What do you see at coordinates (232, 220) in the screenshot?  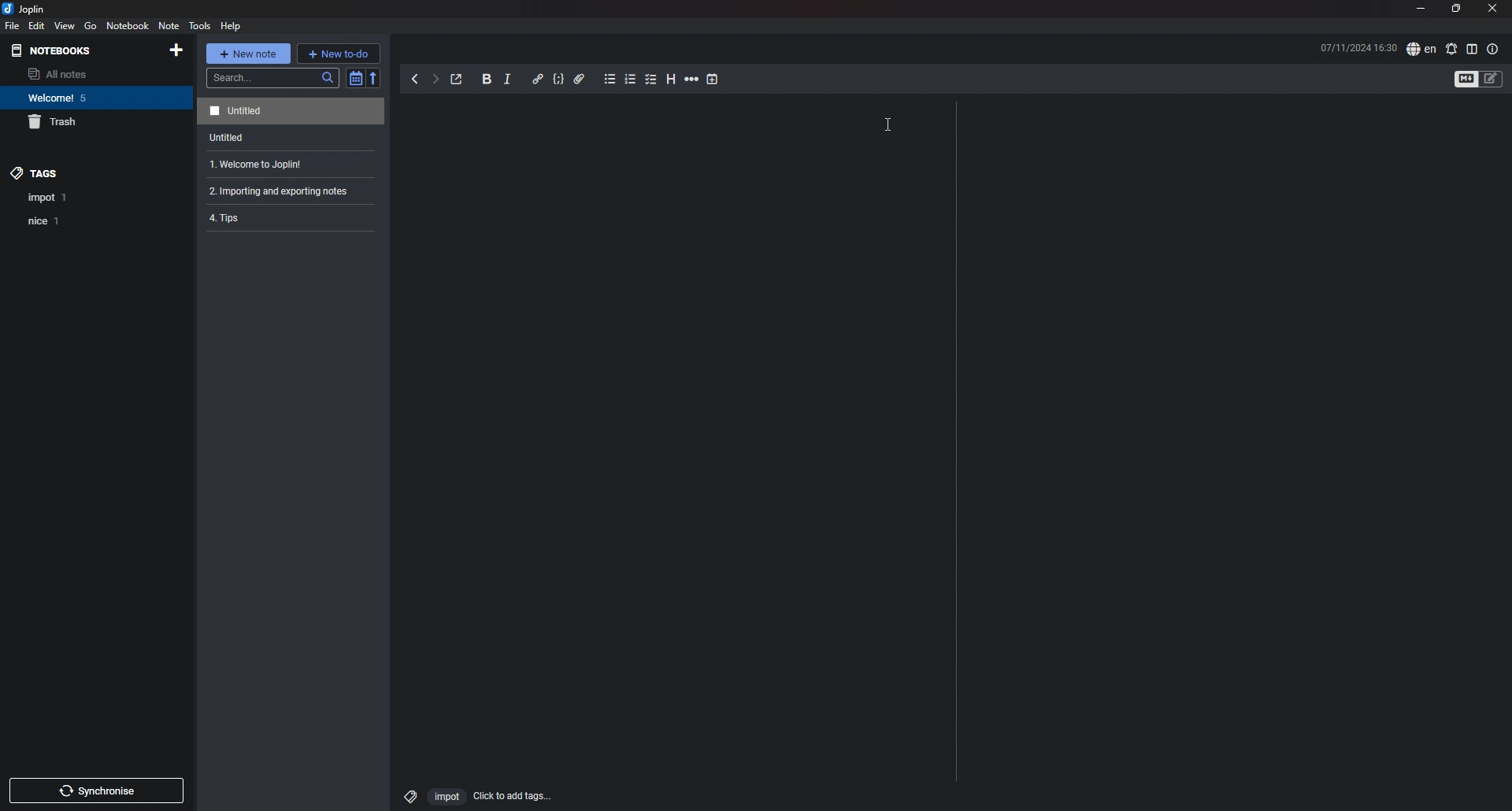 I see `4. Tips` at bounding box center [232, 220].